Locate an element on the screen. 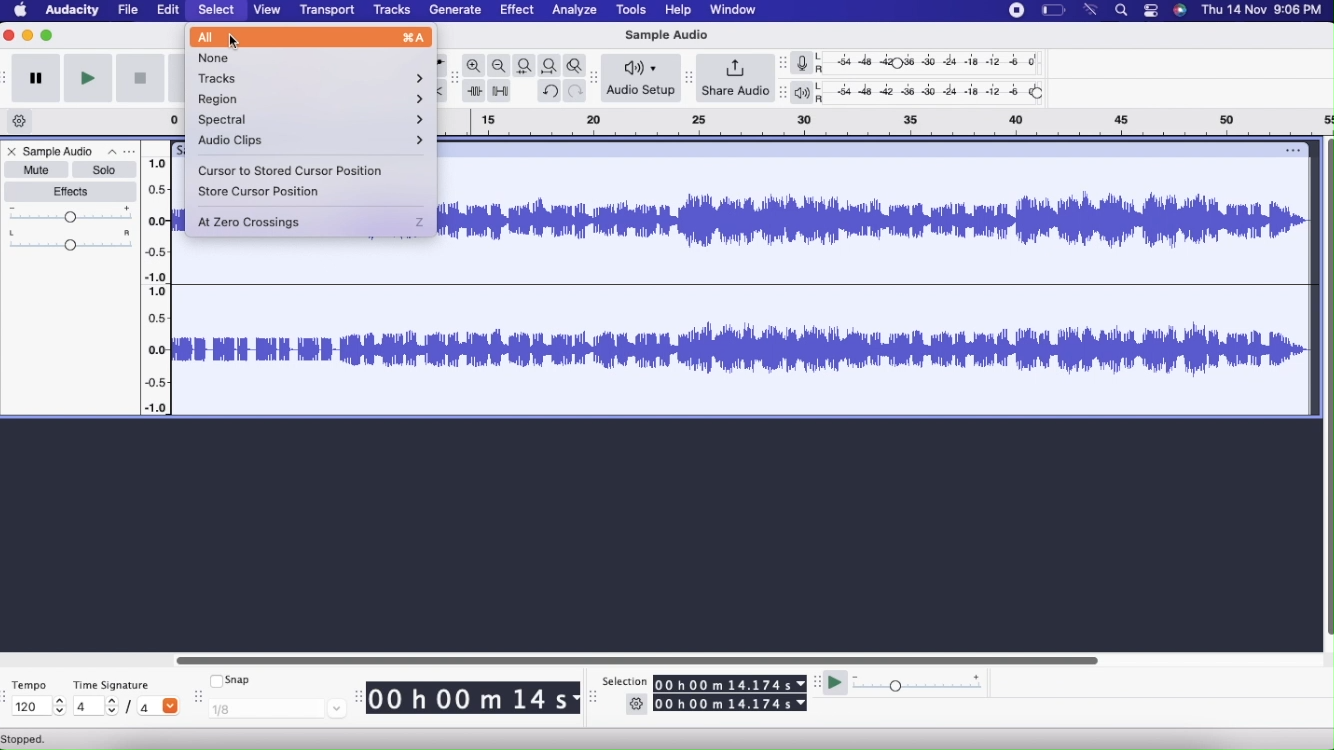 Image resolution: width=1334 pixels, height=750 pixels. Recording level is located at coordinates (935, 61).